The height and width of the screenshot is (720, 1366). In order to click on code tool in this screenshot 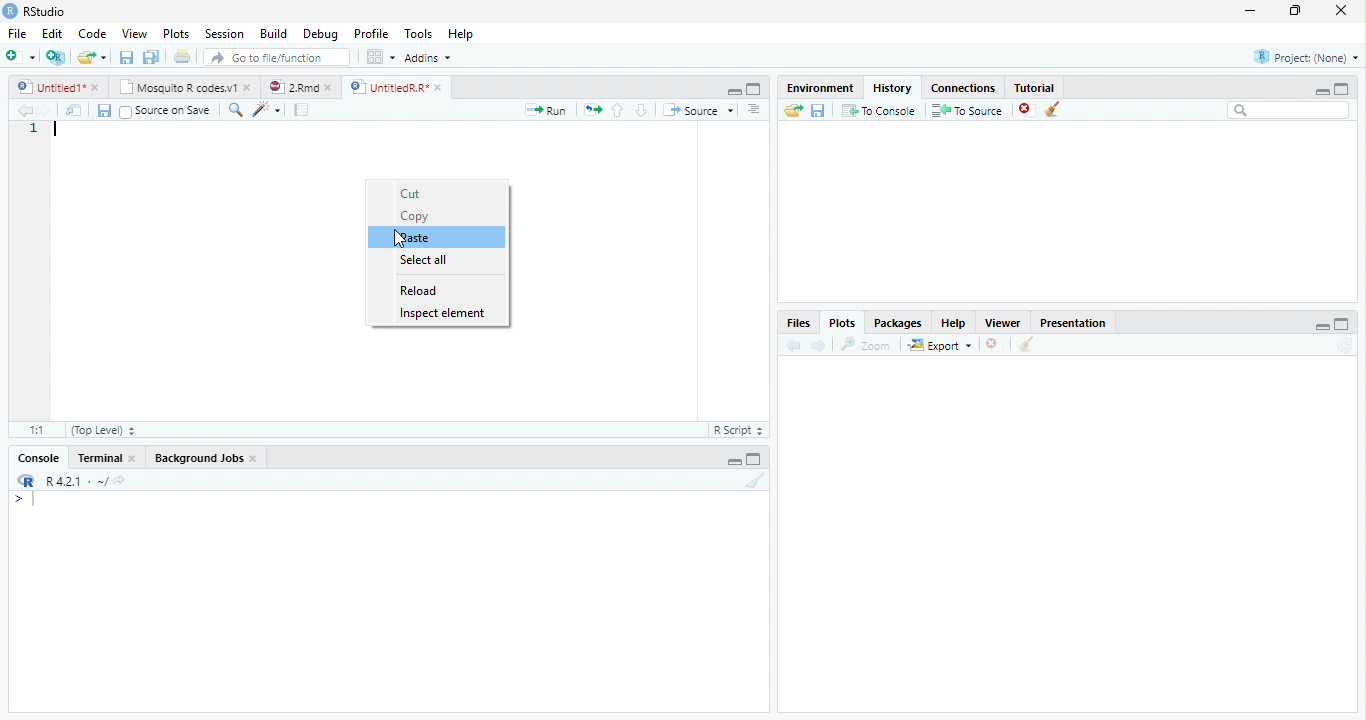, I will do `click(266, 111)`.